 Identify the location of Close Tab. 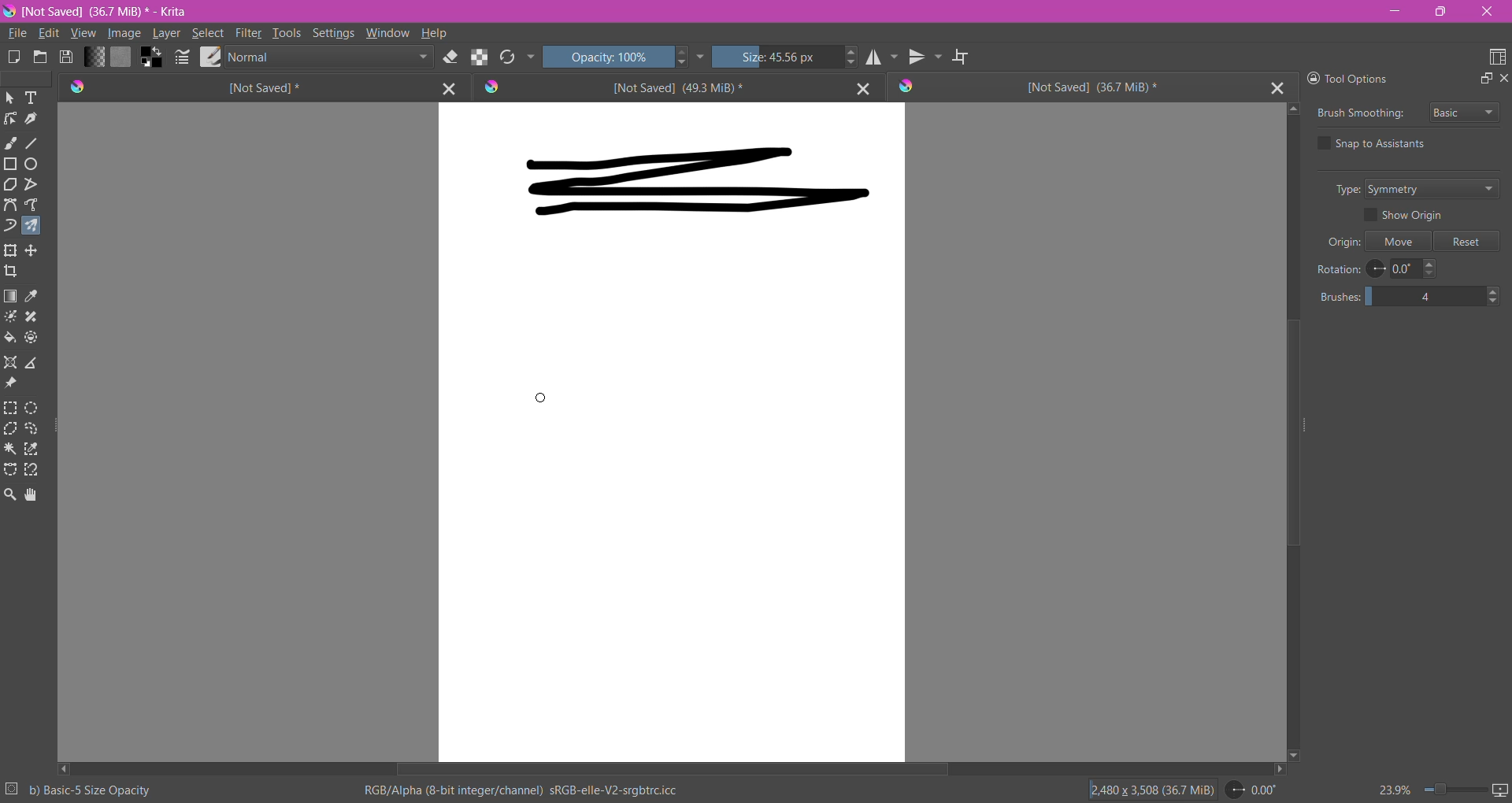
(446, 87).